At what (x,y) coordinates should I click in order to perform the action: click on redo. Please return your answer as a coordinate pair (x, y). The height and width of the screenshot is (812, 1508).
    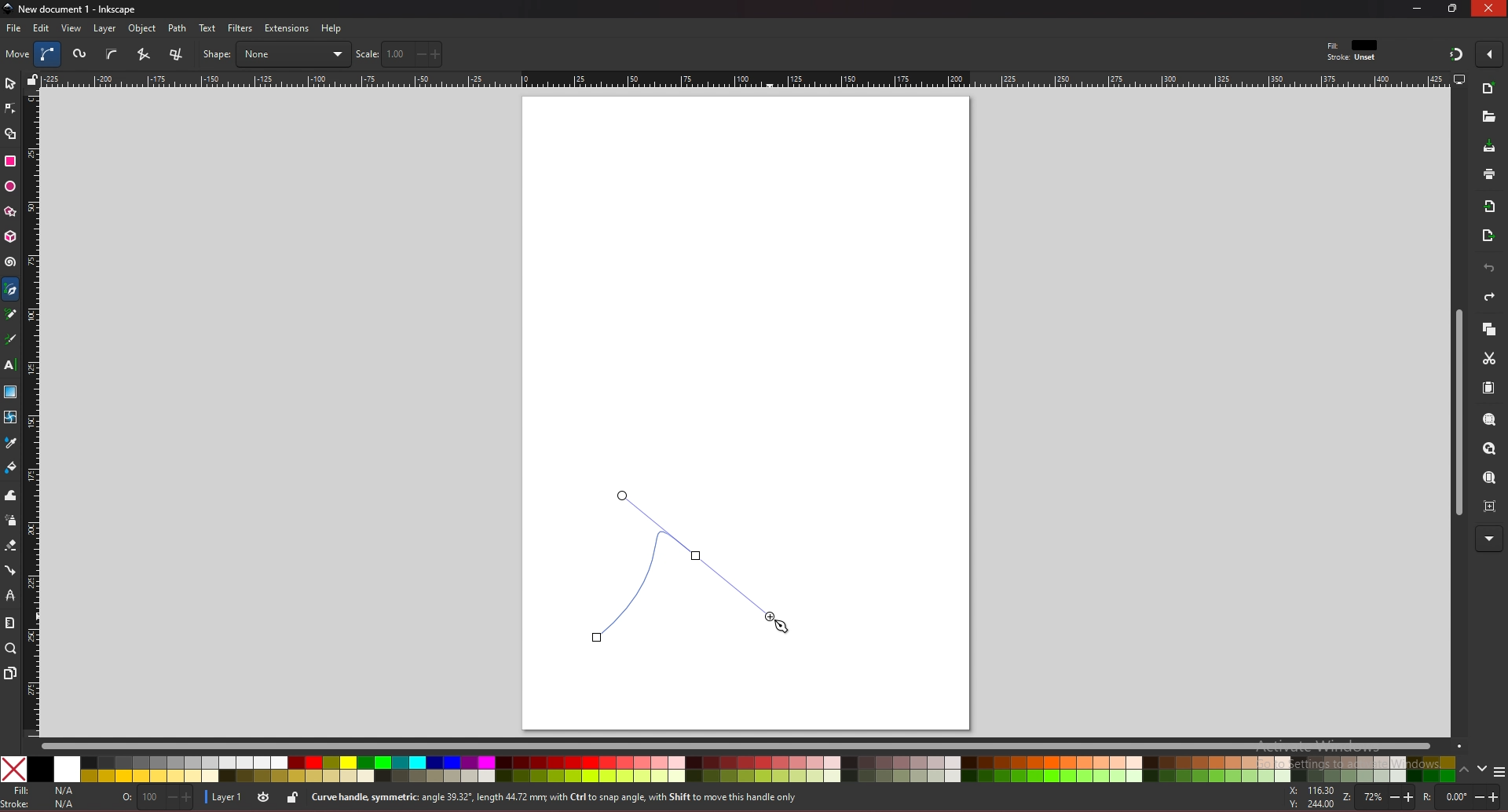
    Looking at the image, I should click on (1489, 297).